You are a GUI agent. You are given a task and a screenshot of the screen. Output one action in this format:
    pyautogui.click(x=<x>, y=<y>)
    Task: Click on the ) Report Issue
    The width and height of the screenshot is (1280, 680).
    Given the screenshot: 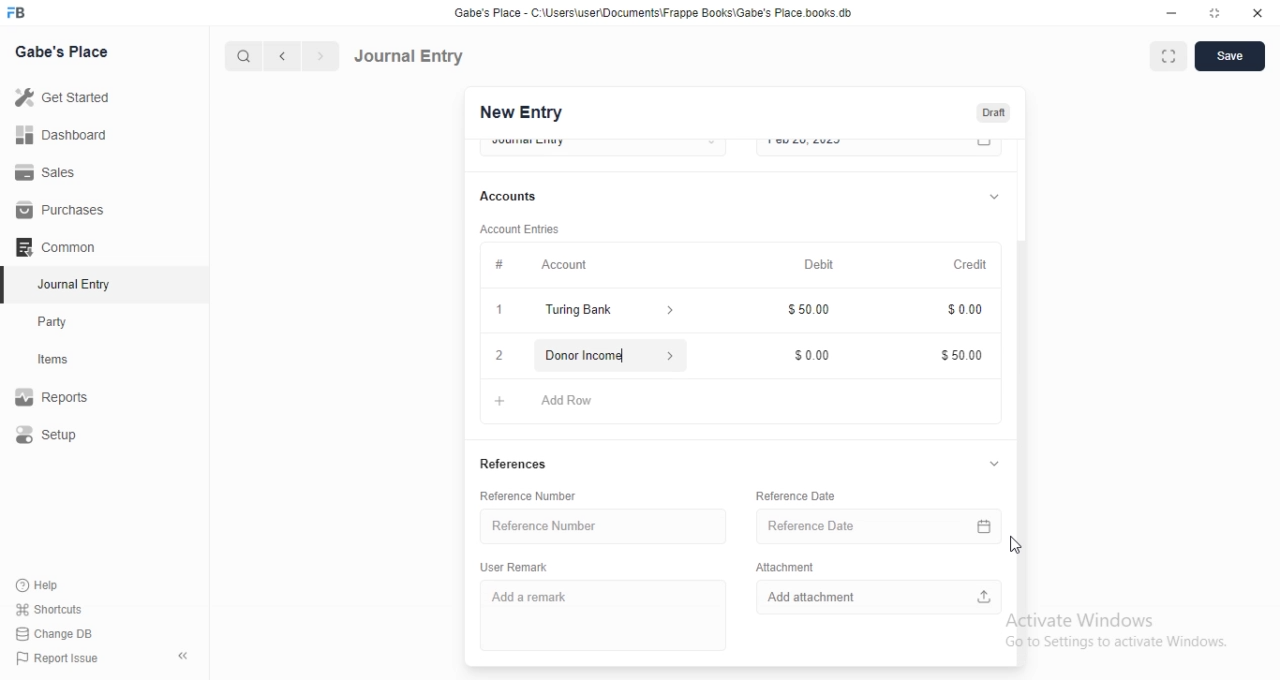 What is the action you would take?
    pyautogui.click(x=59, y=659)
    